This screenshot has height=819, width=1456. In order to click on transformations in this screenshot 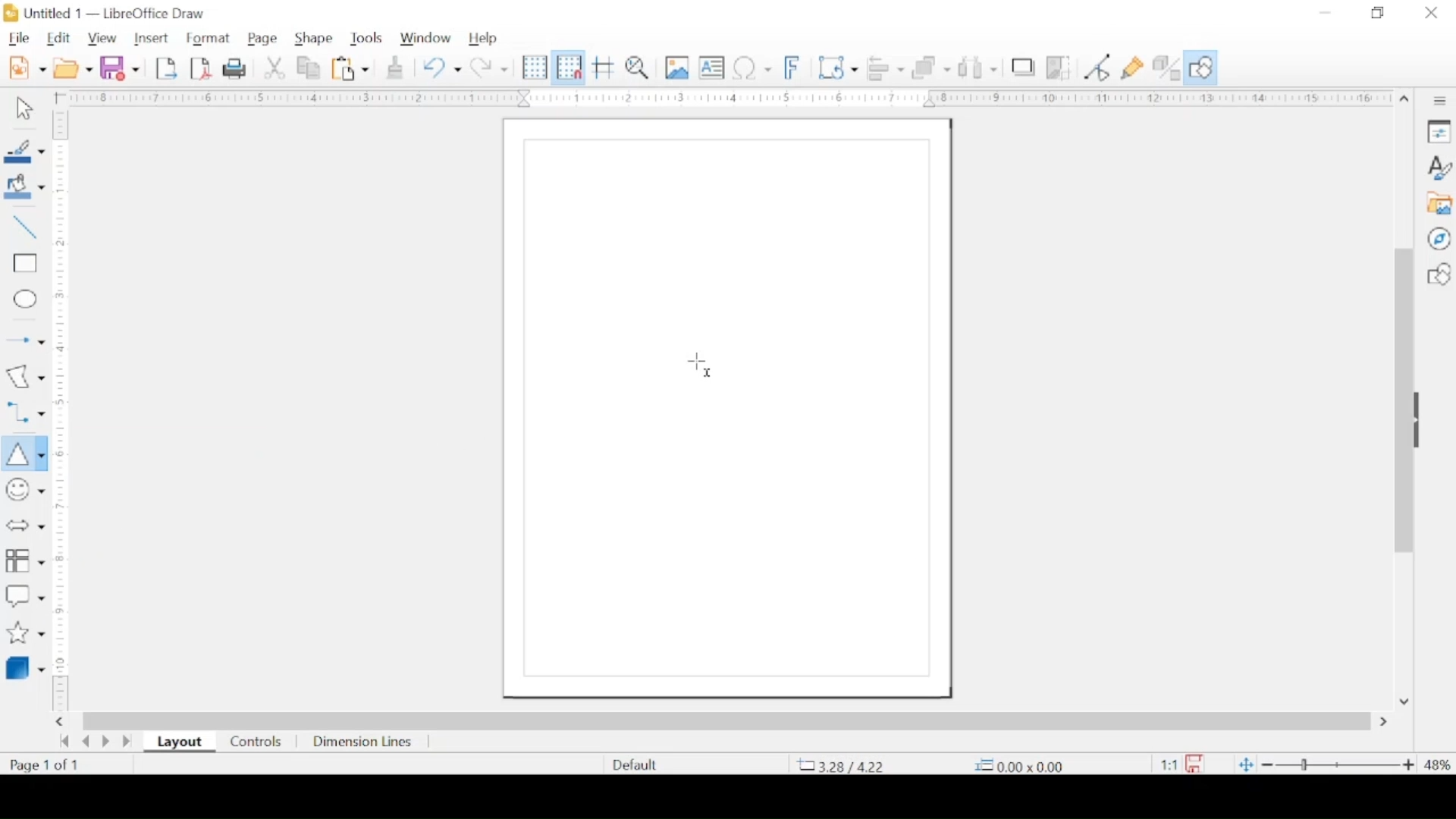, I will do `click(838, 66)`.